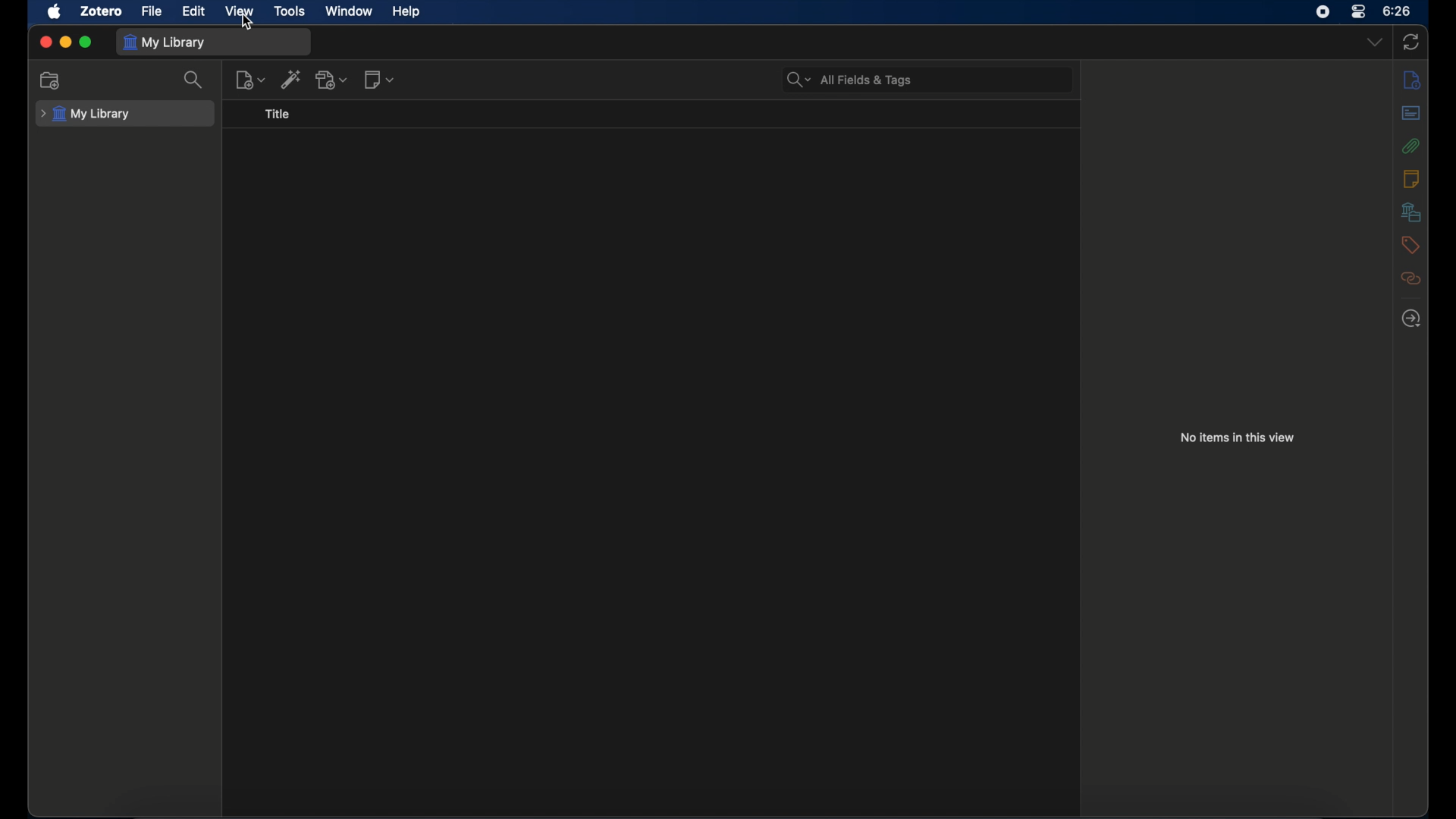  Describe the element at coordinates (194, 11) in the screenshot. I see `edit` at that location.